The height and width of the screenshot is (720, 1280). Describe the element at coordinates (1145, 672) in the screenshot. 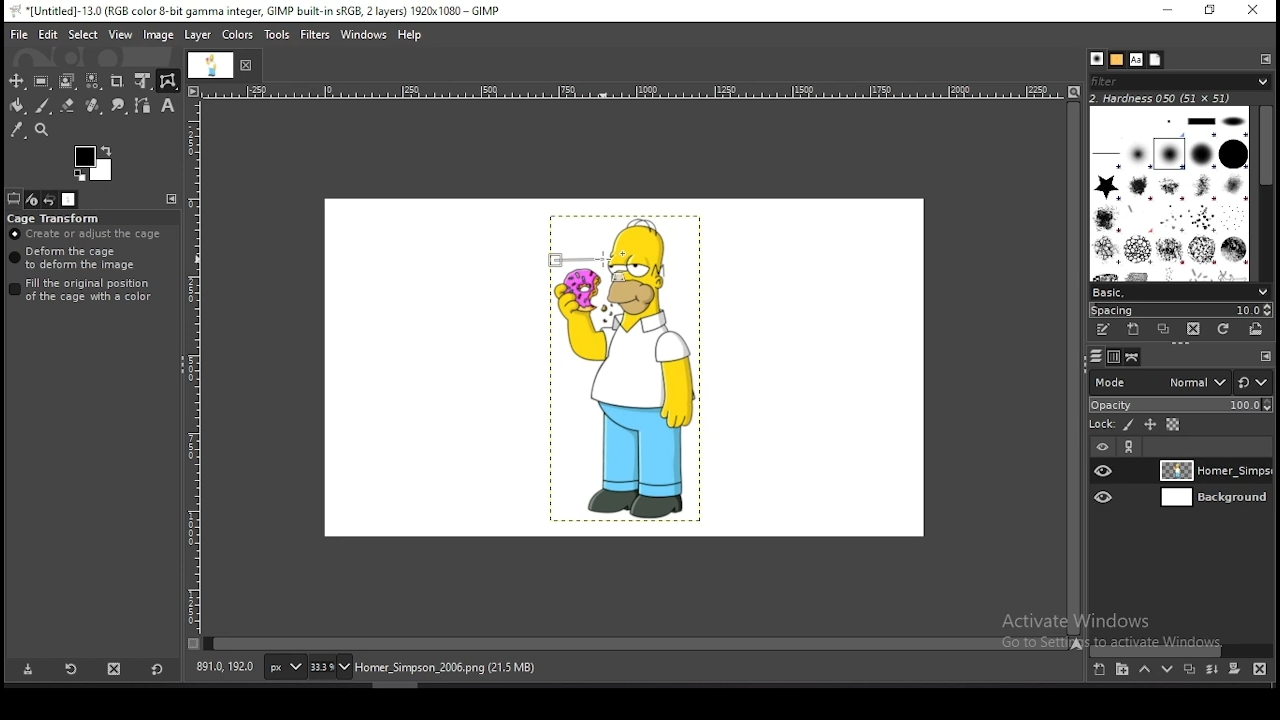

I see `move layer one step up` at that location.